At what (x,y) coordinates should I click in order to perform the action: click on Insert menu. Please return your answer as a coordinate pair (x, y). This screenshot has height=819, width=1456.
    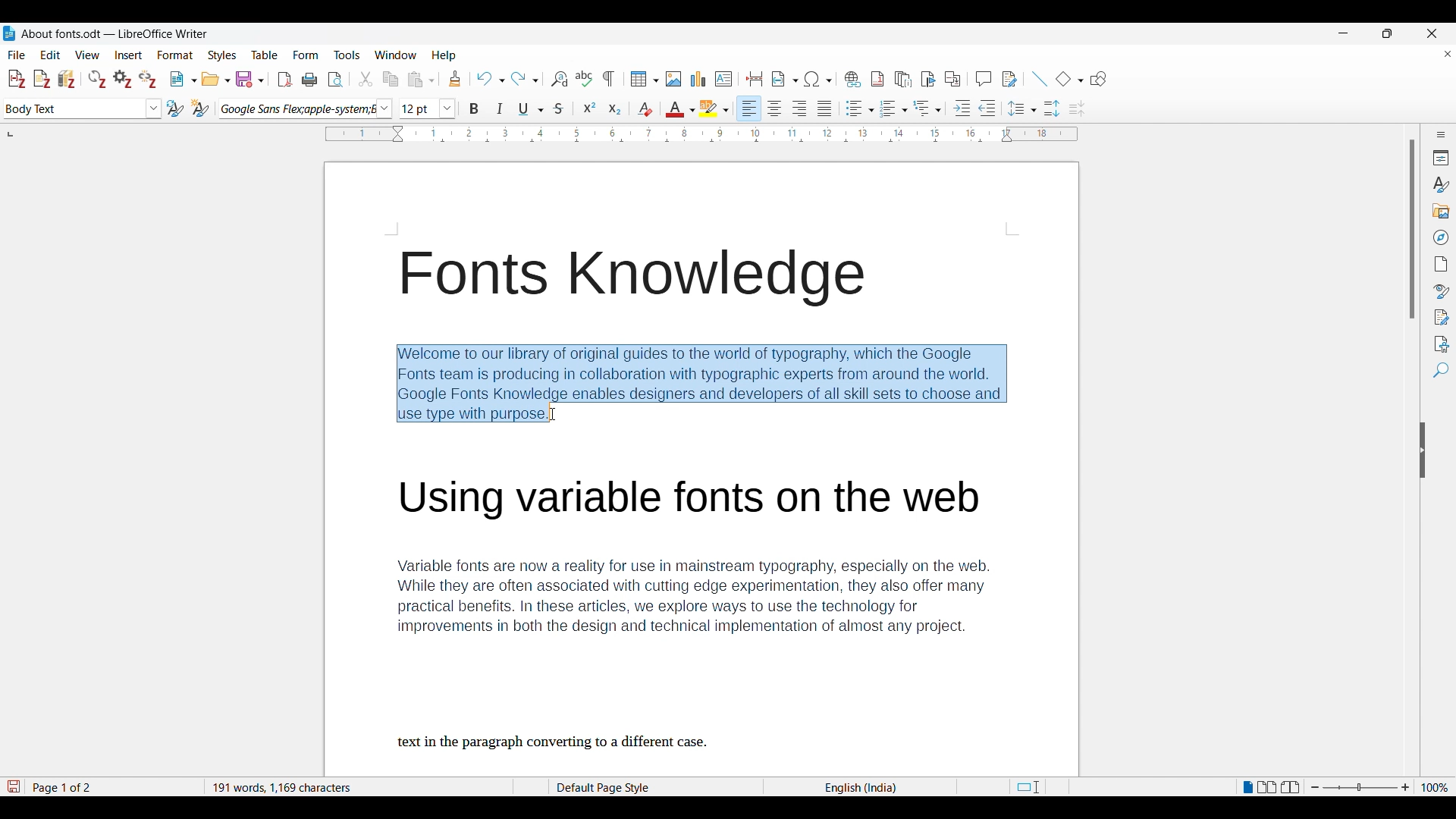
    Looking at the image, I should click on (128, 55).